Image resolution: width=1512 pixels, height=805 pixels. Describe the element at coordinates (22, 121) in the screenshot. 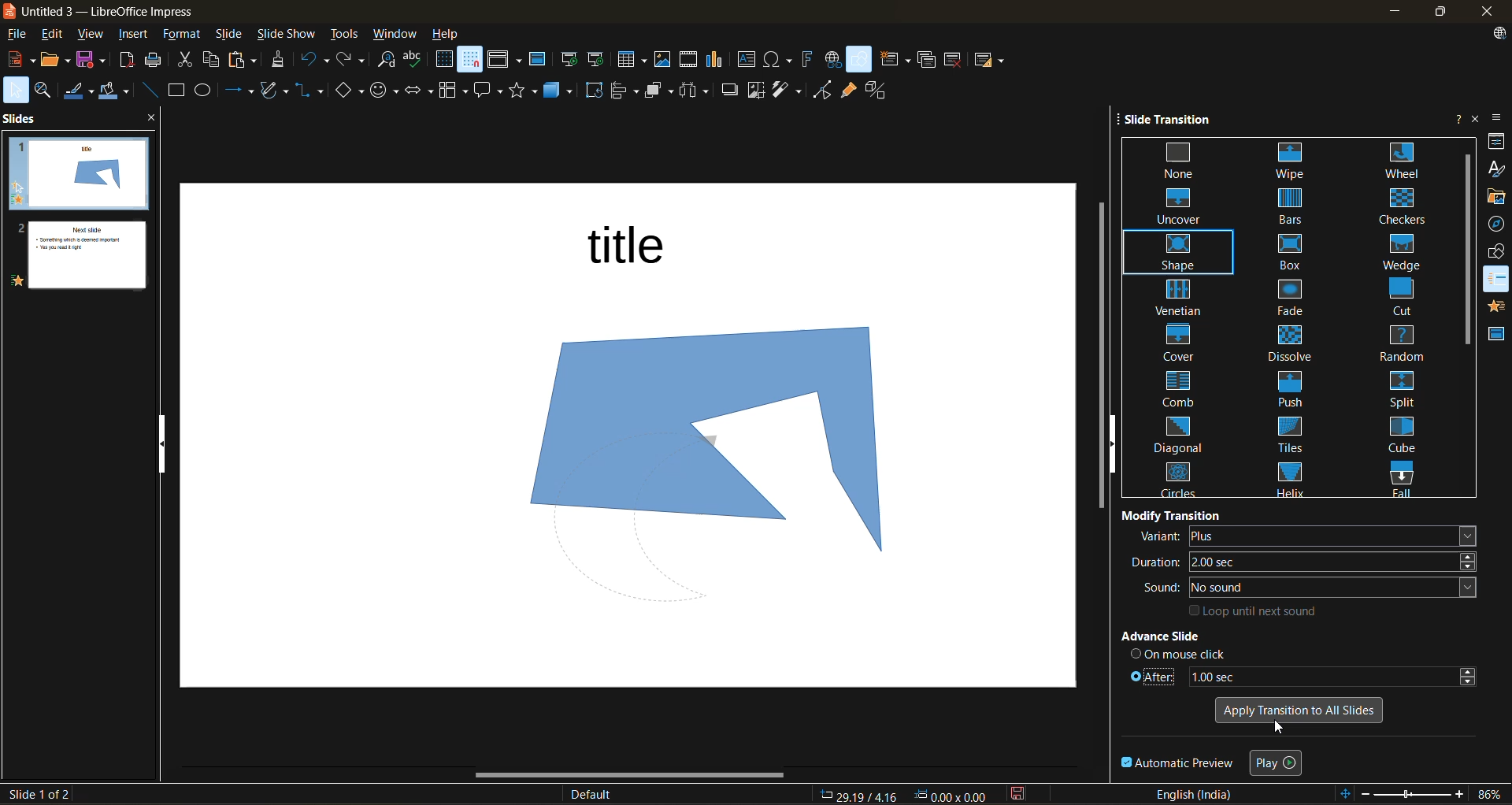

I see `slides` at that location.